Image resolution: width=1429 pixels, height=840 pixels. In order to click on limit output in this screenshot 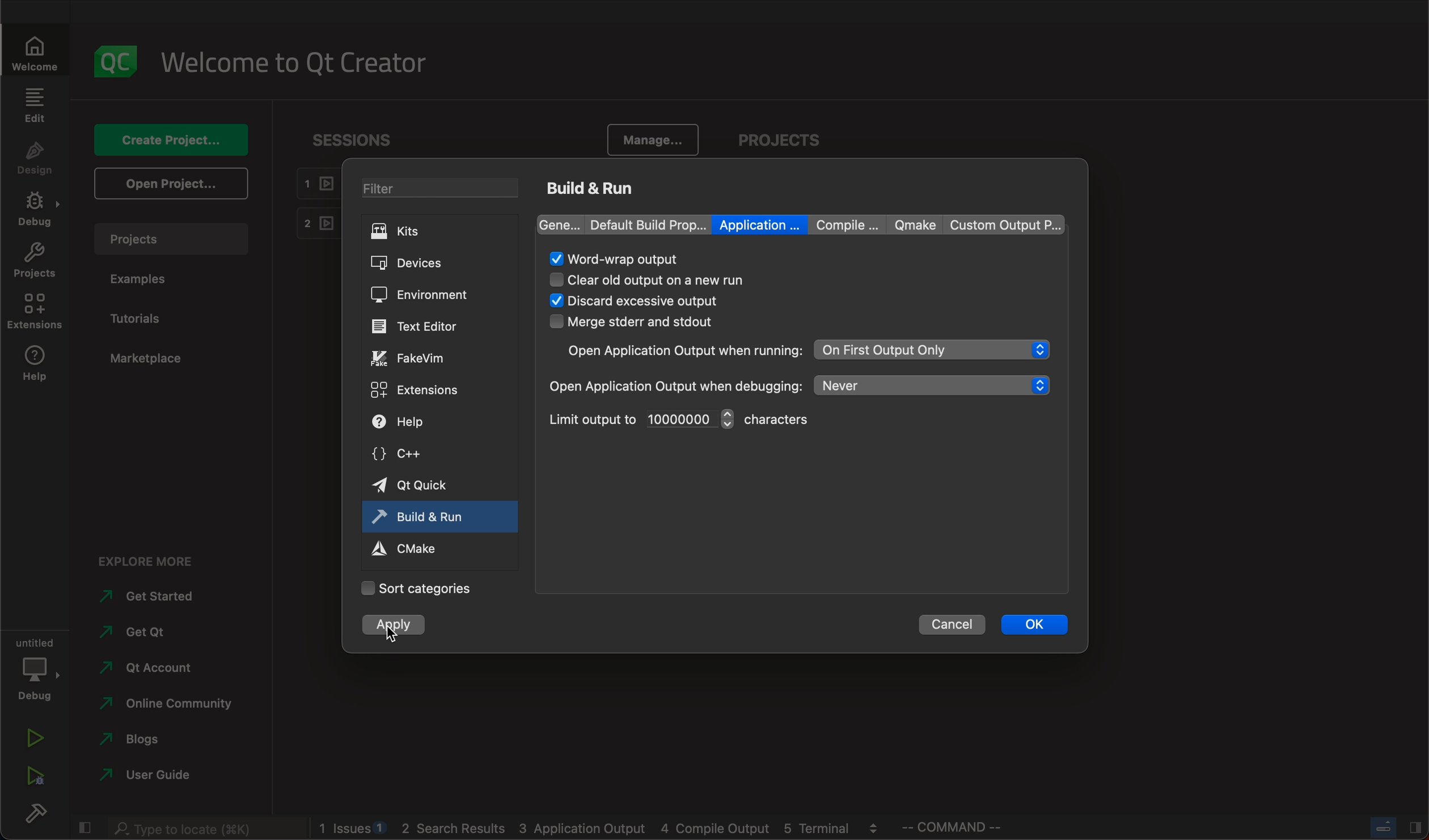, I will do `click(639, 419)`.